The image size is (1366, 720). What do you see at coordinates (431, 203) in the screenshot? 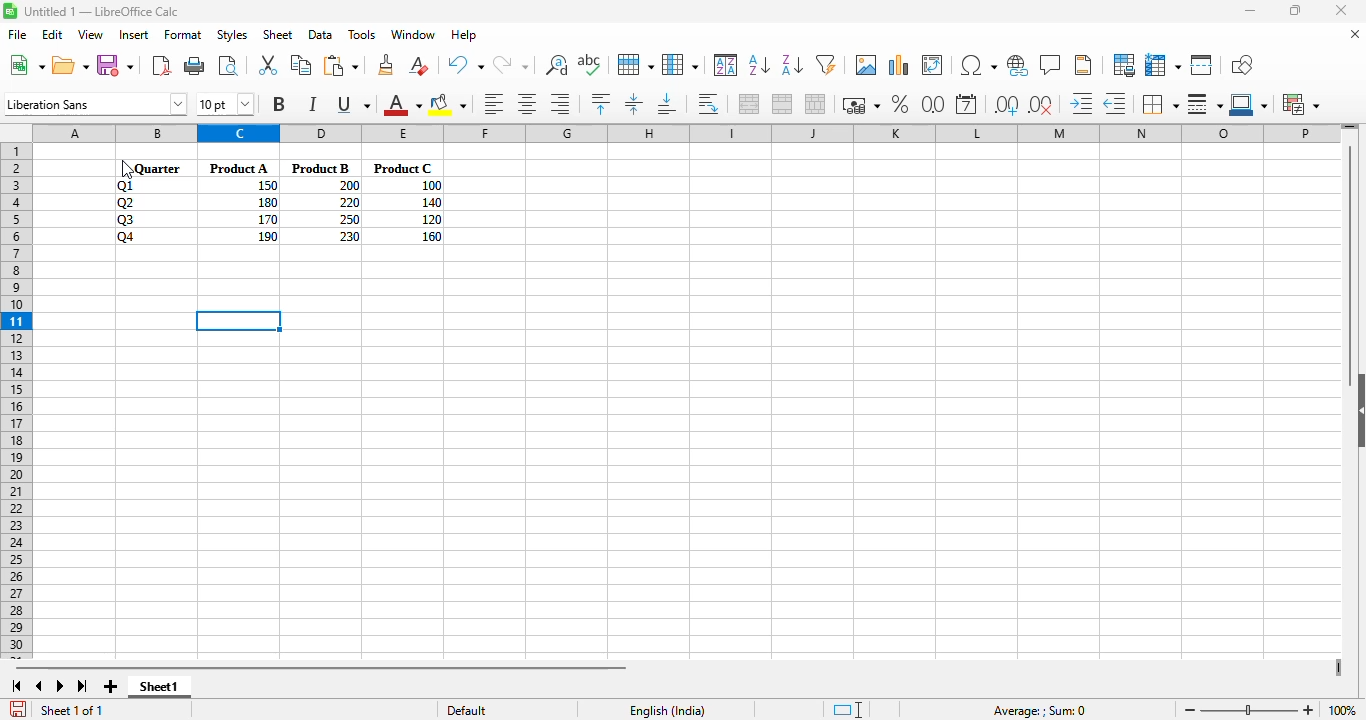
I see `140` at bounding box center [431, 203].